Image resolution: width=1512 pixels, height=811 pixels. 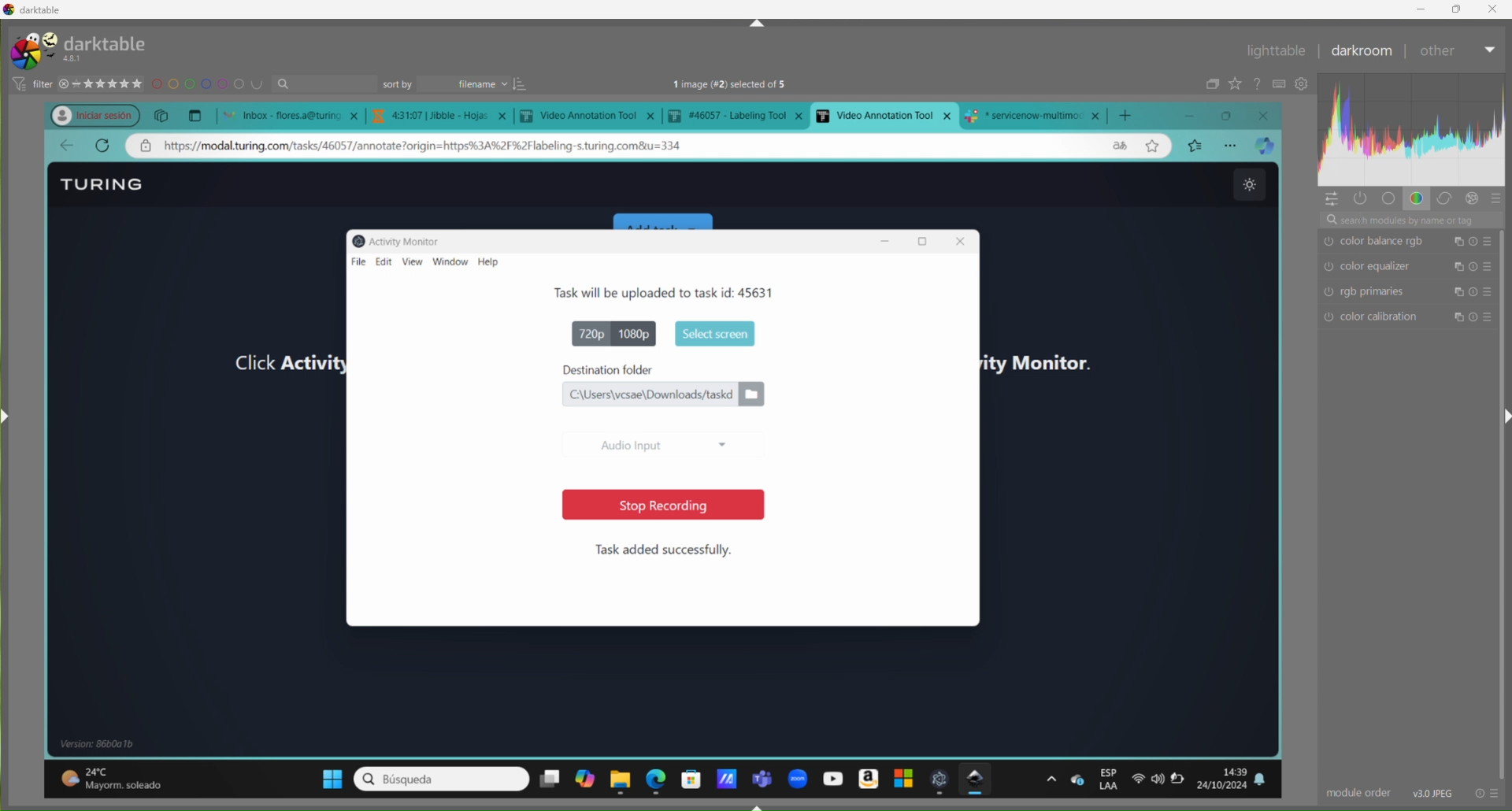 I want to click on wifi, so click(x=1136, y=783).